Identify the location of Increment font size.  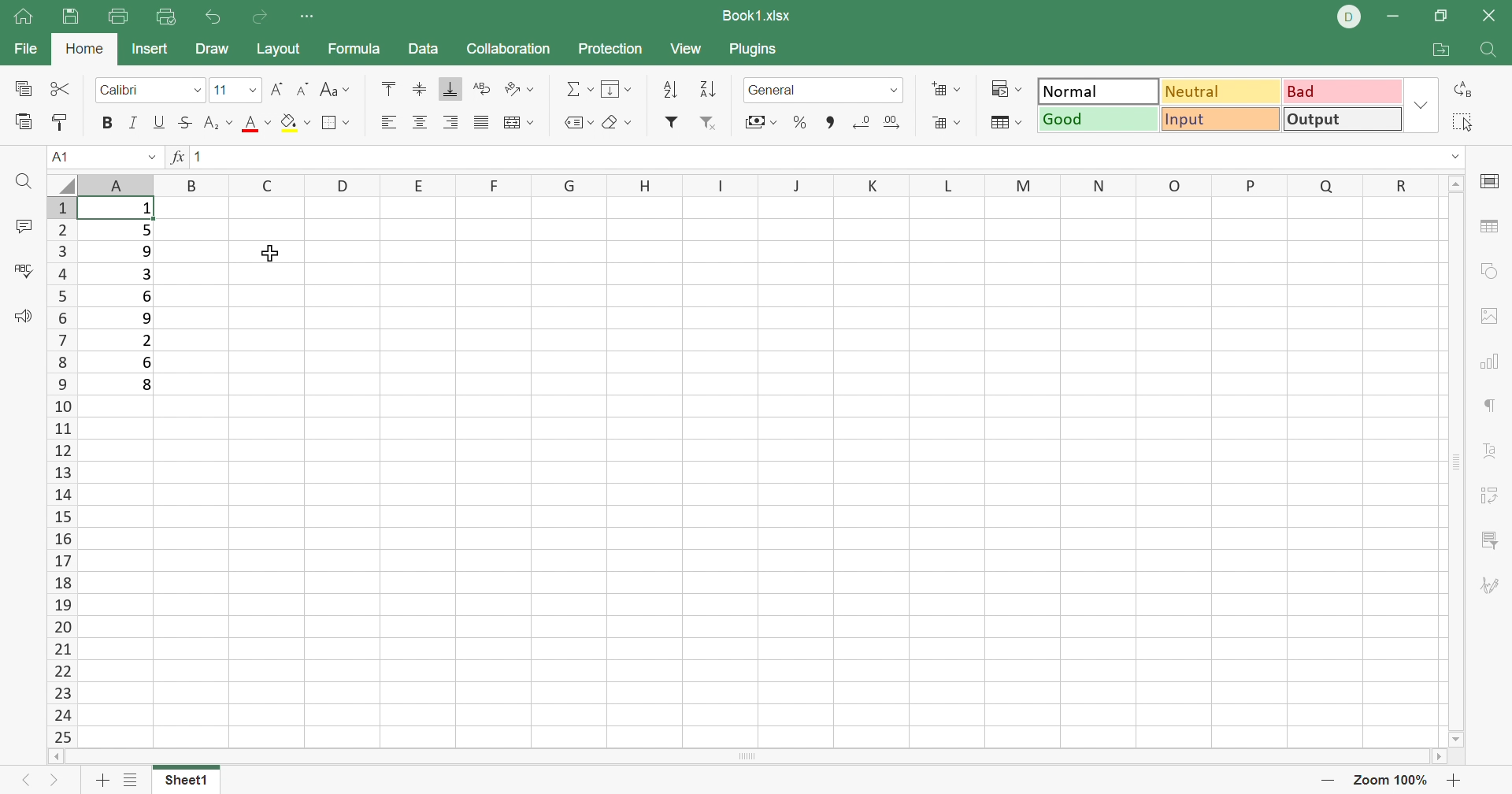
(277, 88).